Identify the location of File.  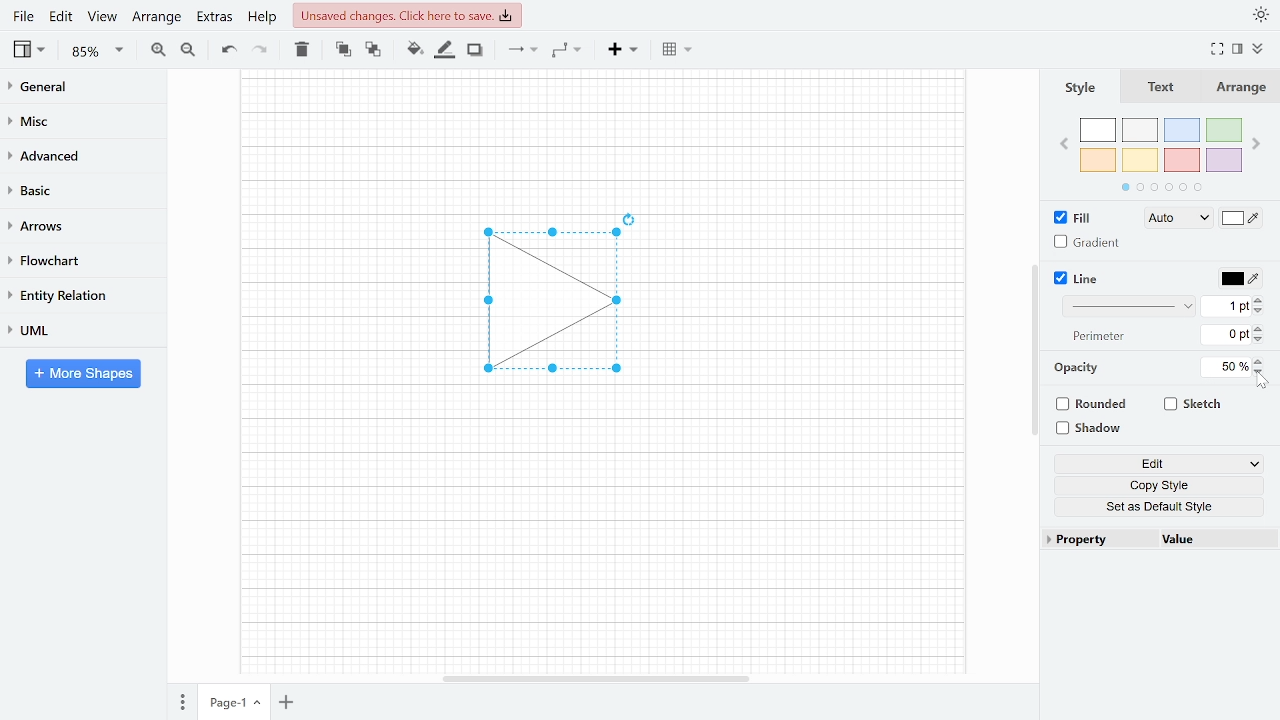
(23, 16).